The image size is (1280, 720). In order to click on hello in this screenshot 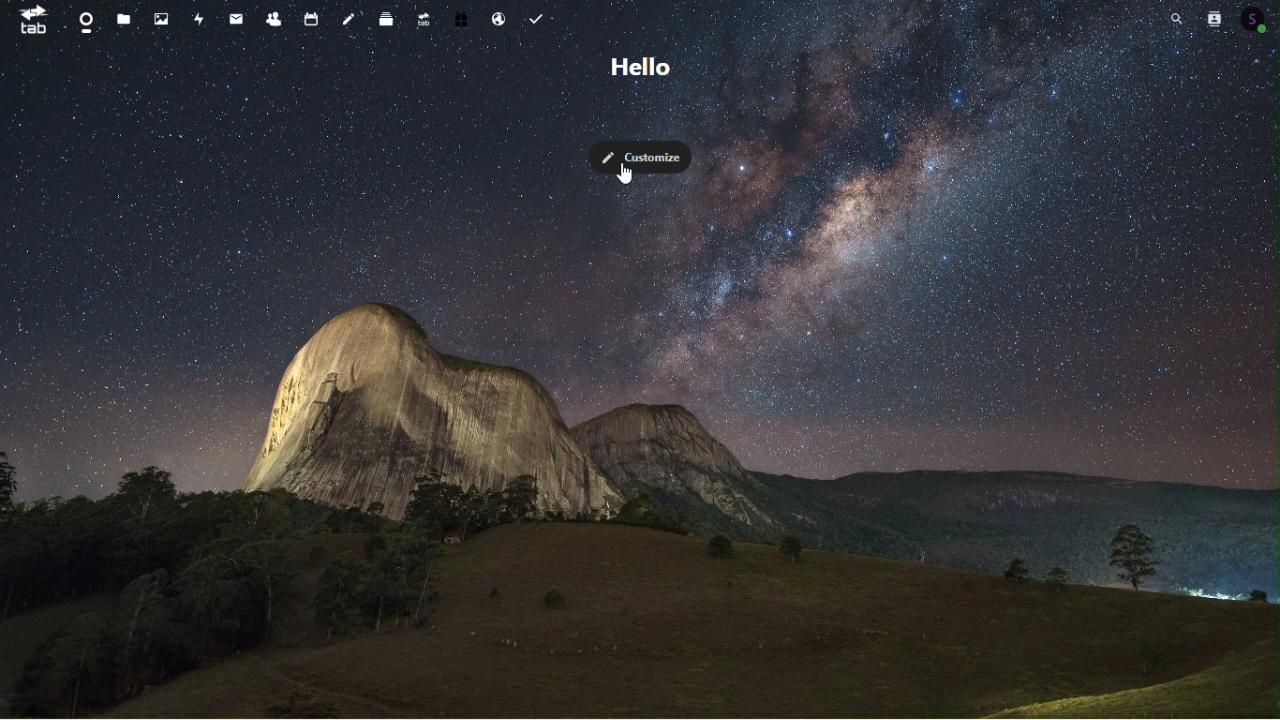, I will do `click(645, 67)`.